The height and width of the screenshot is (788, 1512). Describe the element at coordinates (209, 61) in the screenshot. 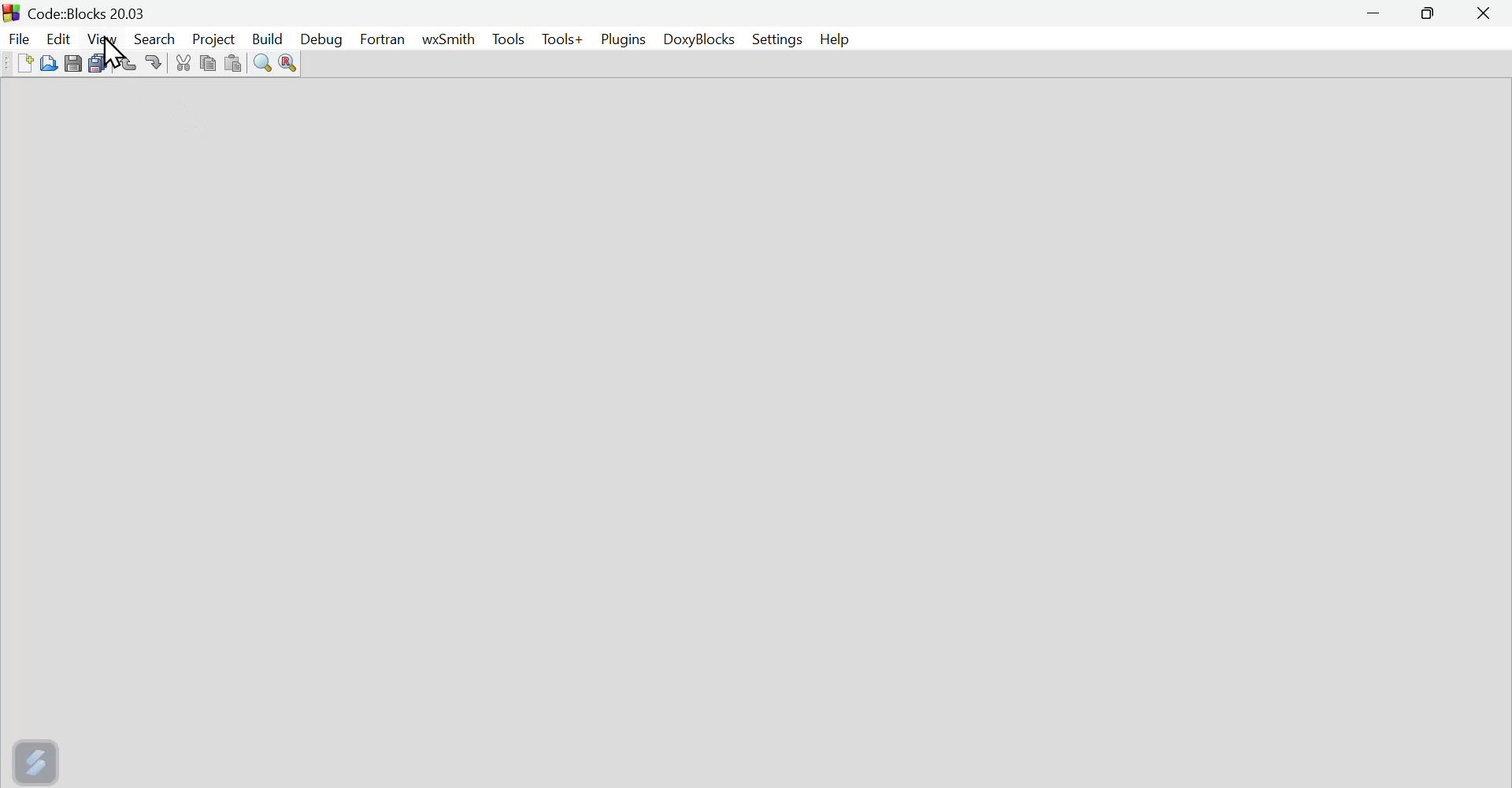

I see `Copy` at that location.